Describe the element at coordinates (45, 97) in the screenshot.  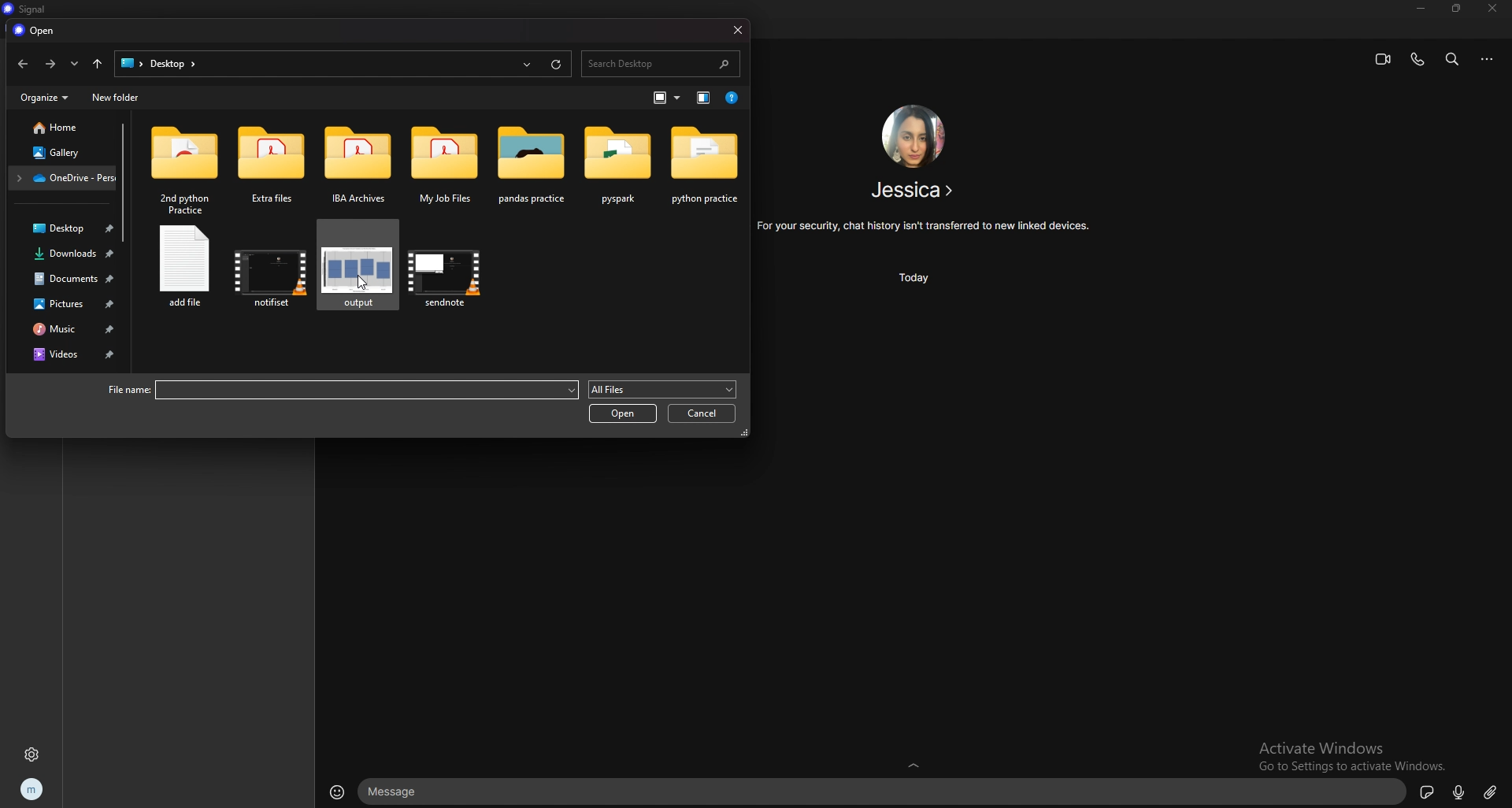
I see `organize` at that location.